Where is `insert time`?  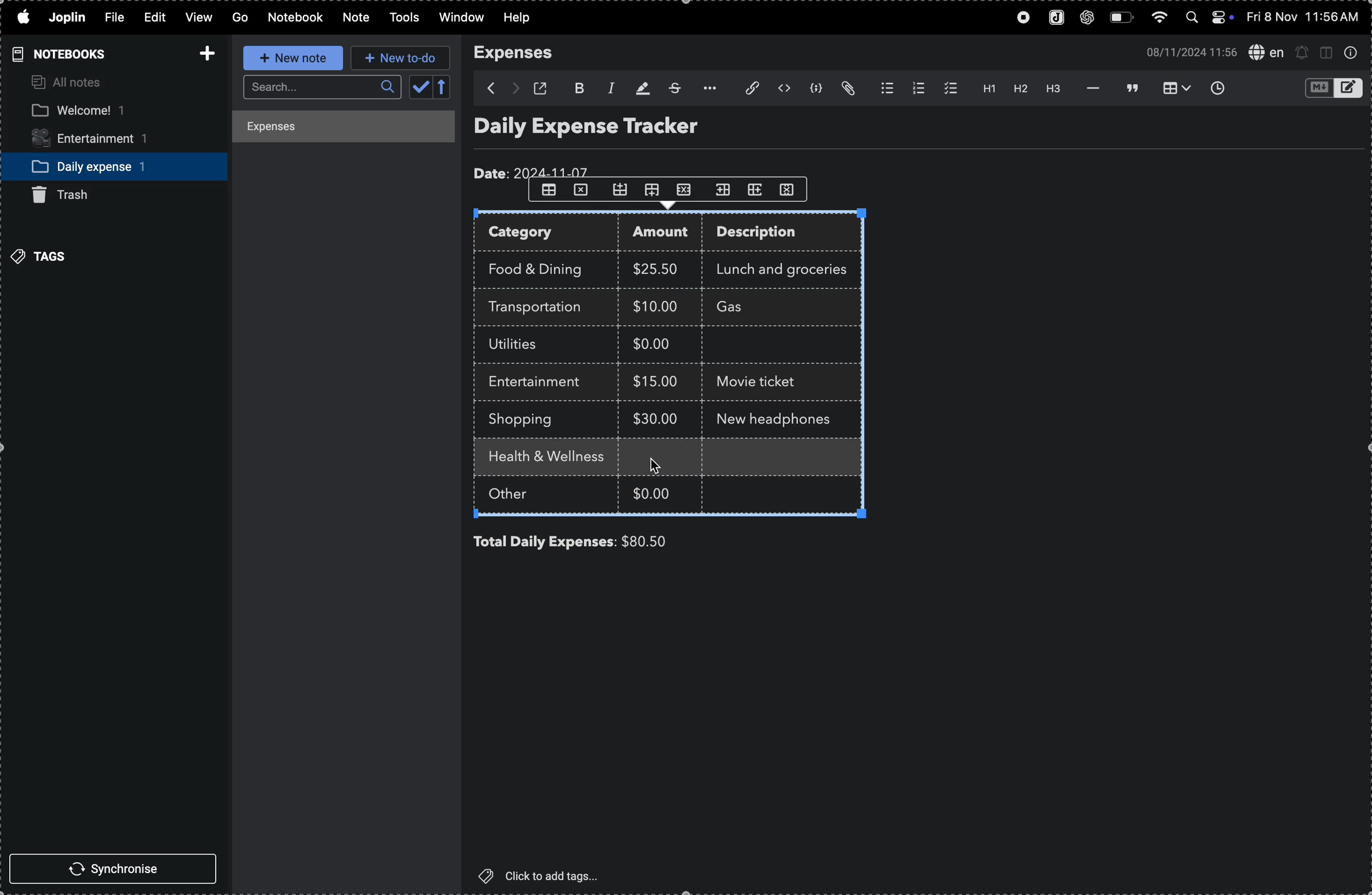 insert time is located at coordinates (1216, 88).